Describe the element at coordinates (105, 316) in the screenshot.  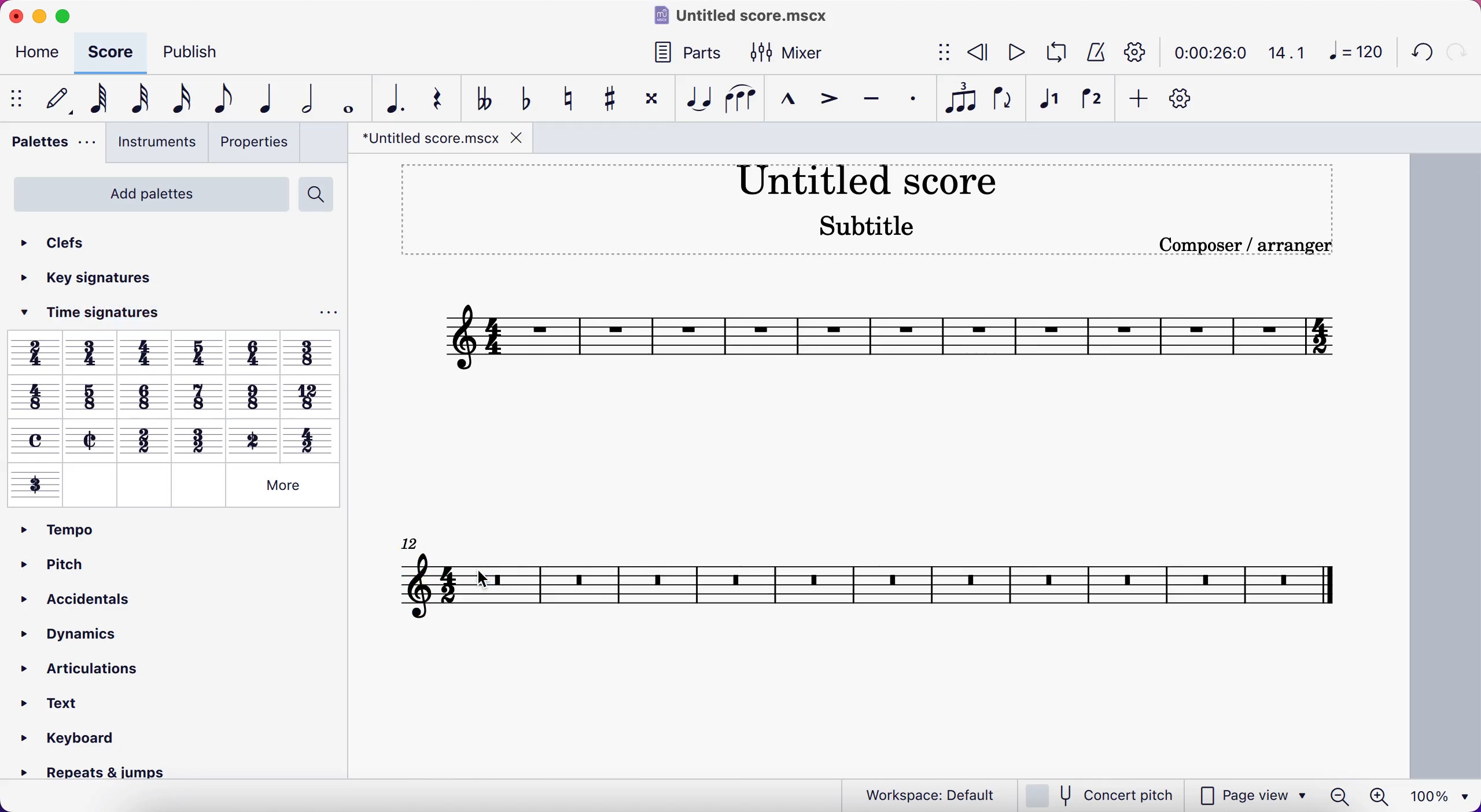
I see `time signatures` at that location.